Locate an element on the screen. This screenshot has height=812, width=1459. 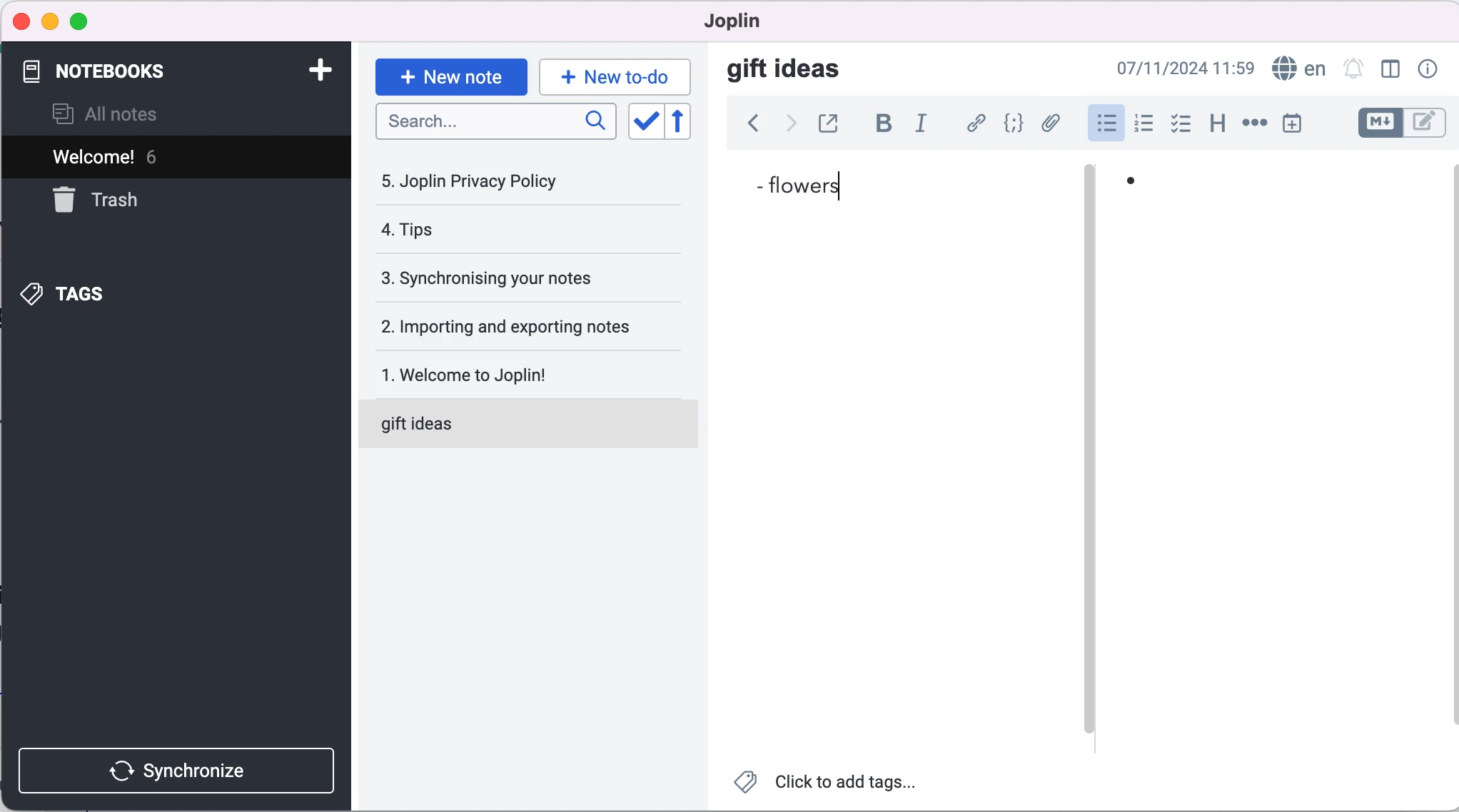
add file is located at coordinates (1052, 124).